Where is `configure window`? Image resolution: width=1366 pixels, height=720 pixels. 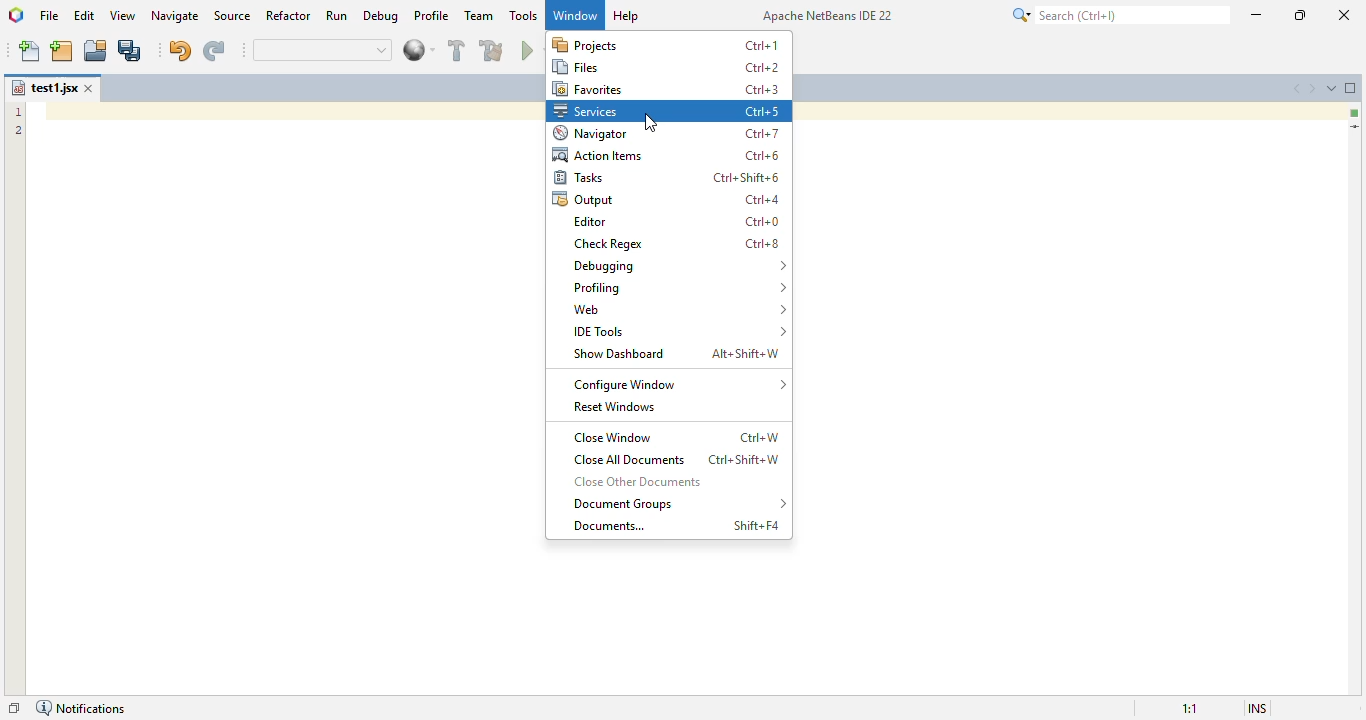 configure window is located at coordinates (680, 385).